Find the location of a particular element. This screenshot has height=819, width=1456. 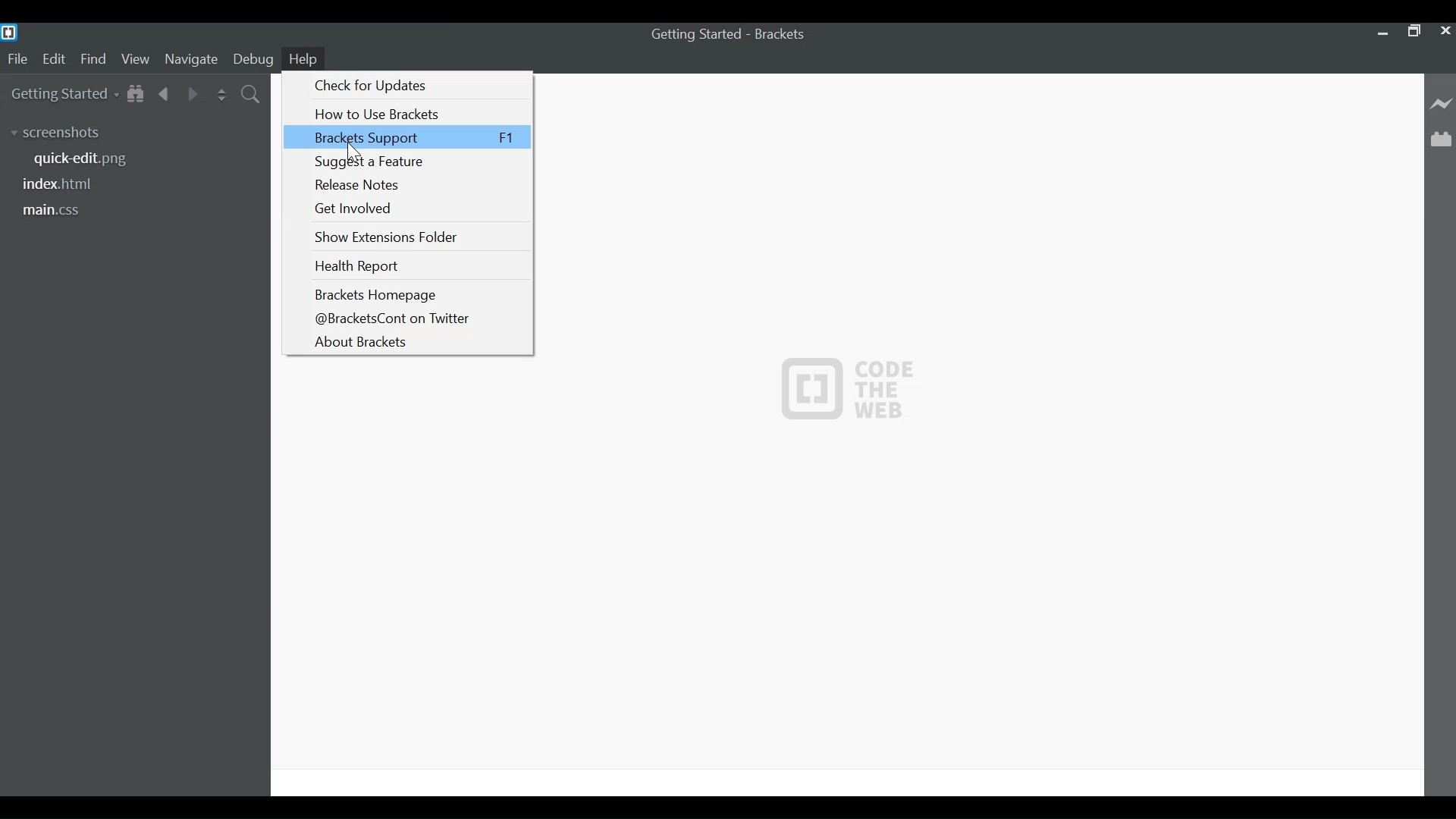

Debug is located at coordinates (253, 60).